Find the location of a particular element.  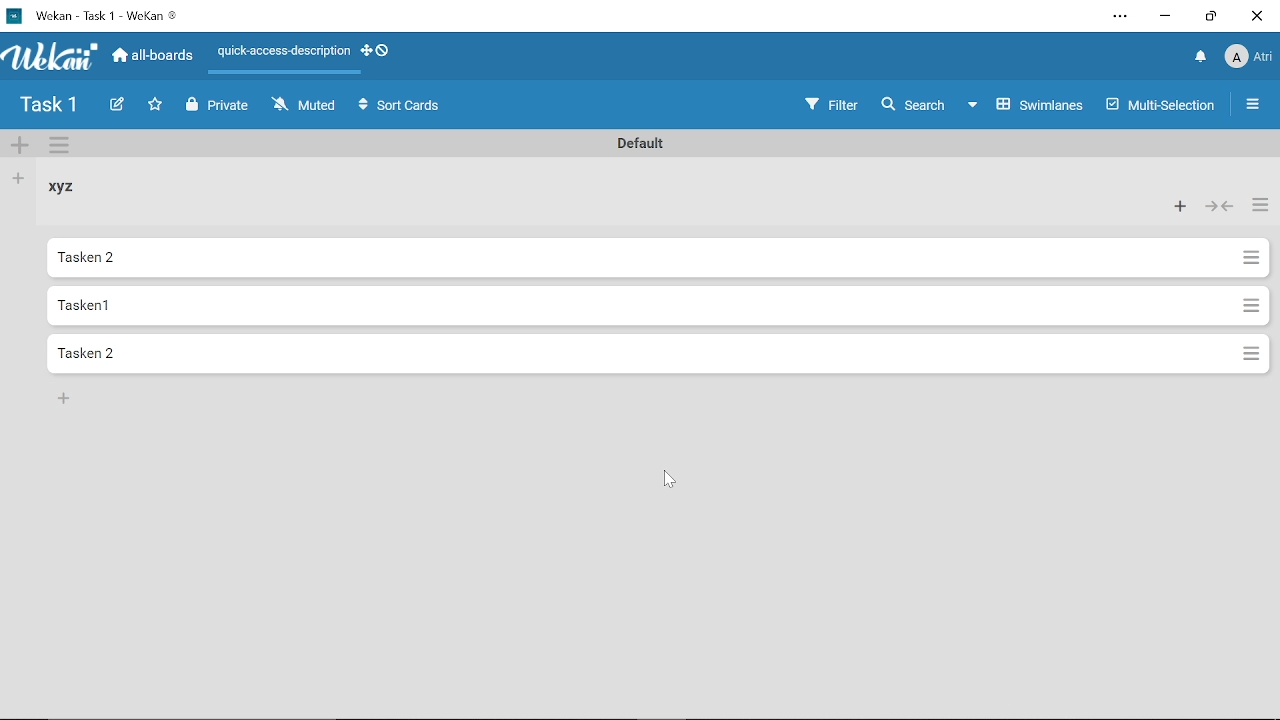

Manage card is located at coordinates (1248, 258).